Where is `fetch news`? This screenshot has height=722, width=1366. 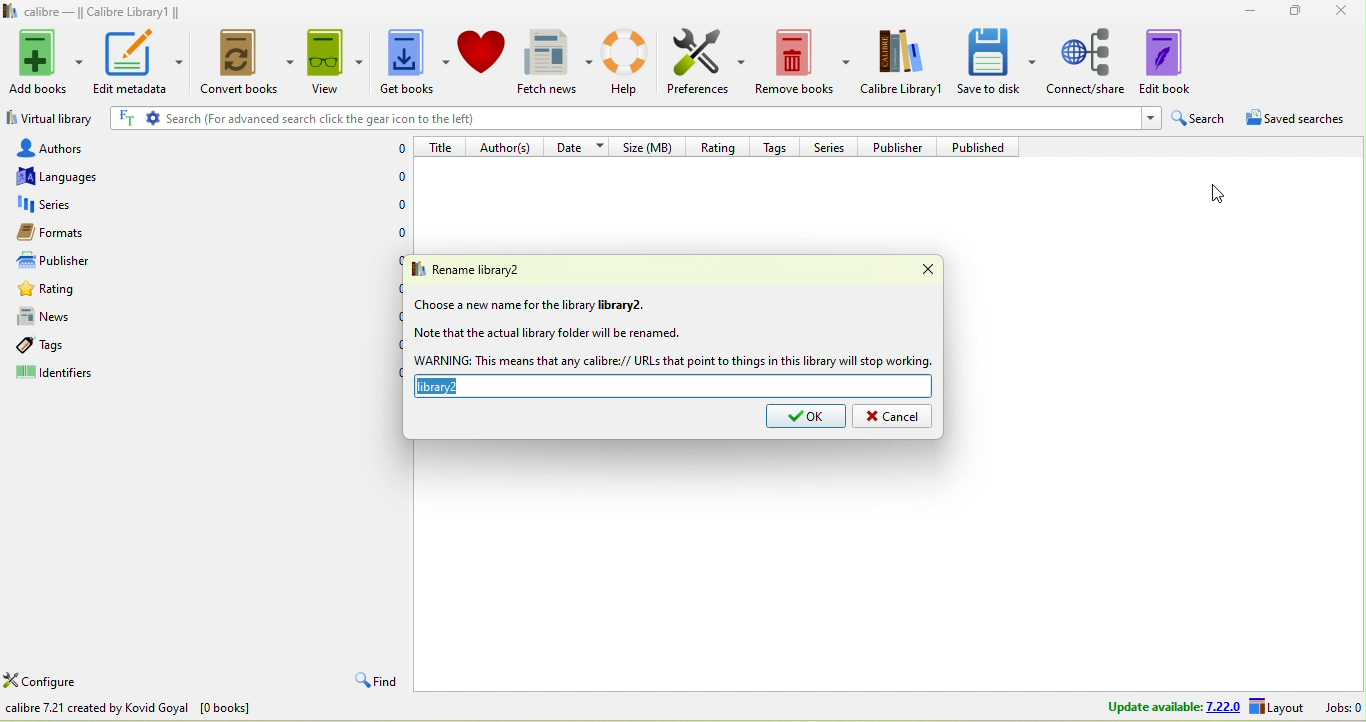
fetch news is located at coordinates (557, 62).